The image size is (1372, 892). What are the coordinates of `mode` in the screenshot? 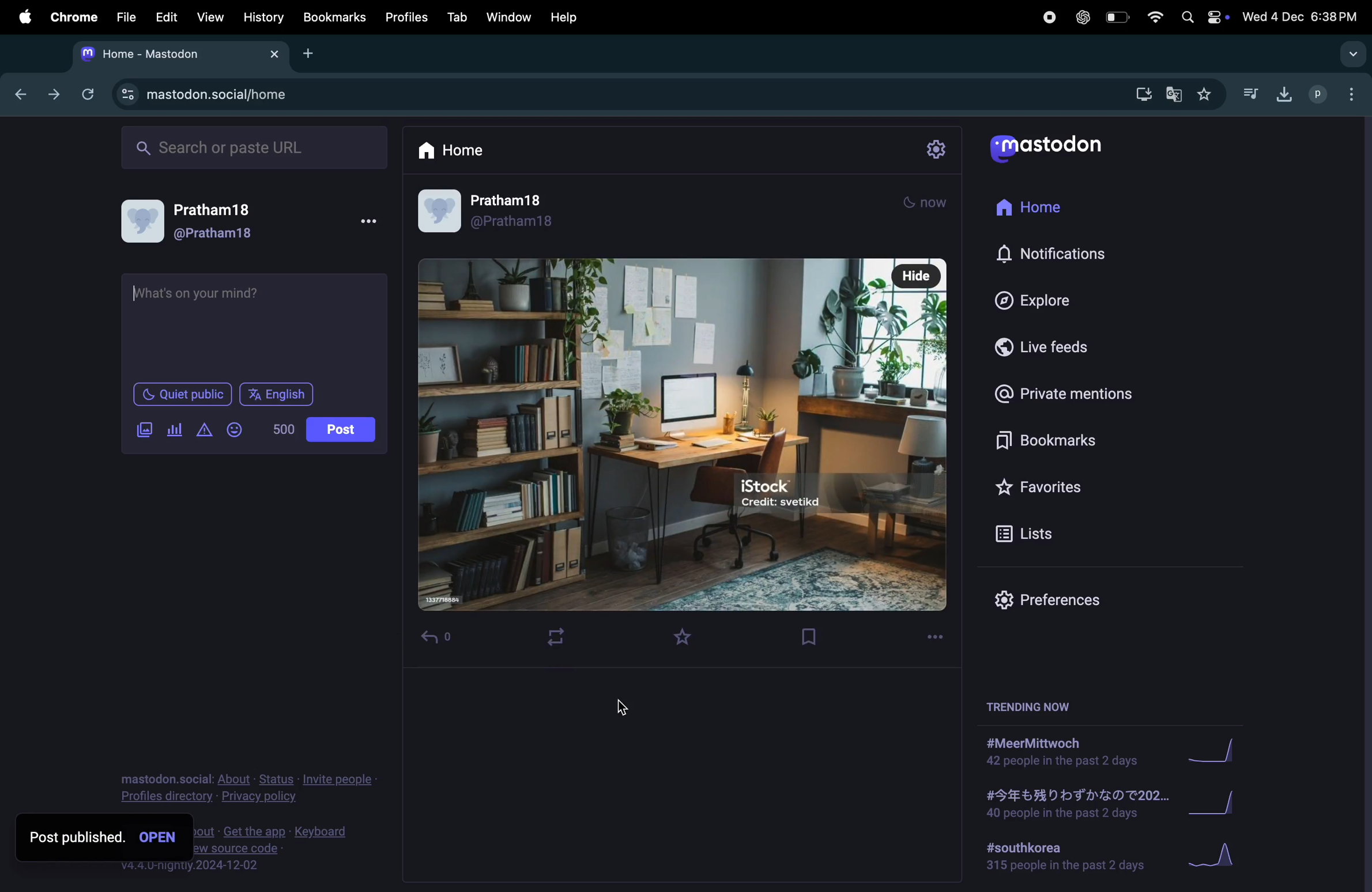 It's located at (930, 205).